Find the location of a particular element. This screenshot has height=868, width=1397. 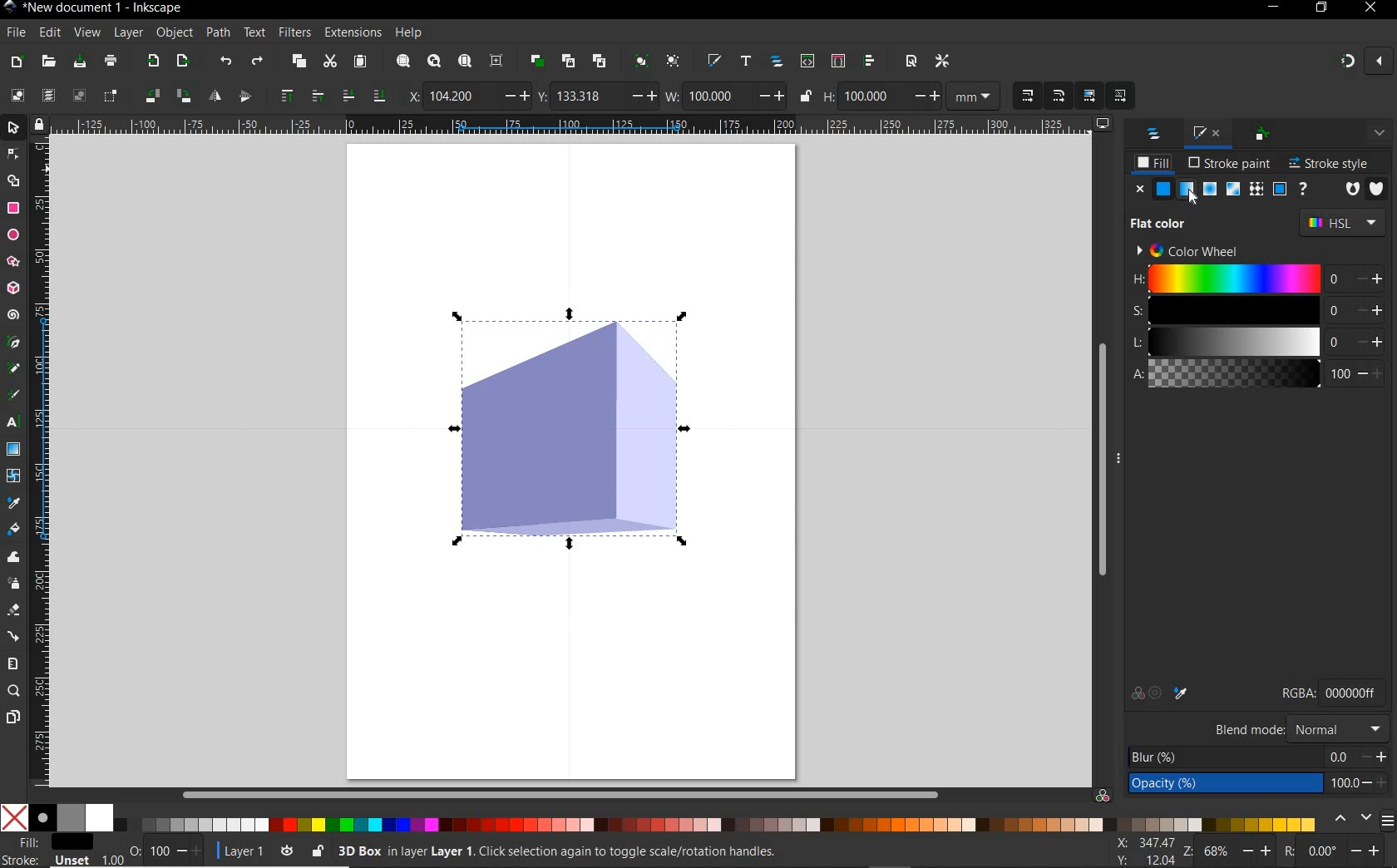

0 is located at coordinates (1325, 851).